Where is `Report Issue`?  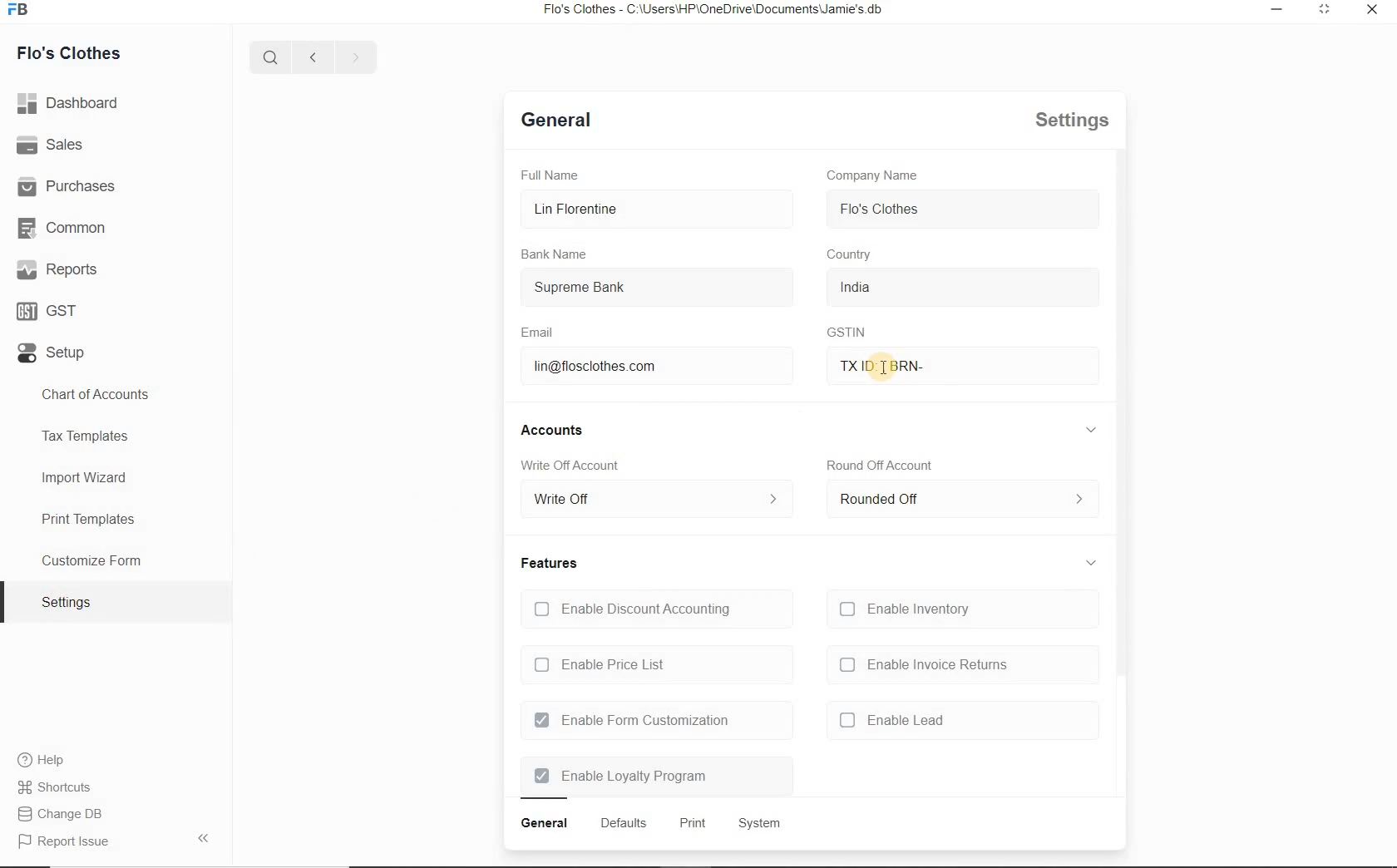 Report Issue is located at coordinates (68, 816).